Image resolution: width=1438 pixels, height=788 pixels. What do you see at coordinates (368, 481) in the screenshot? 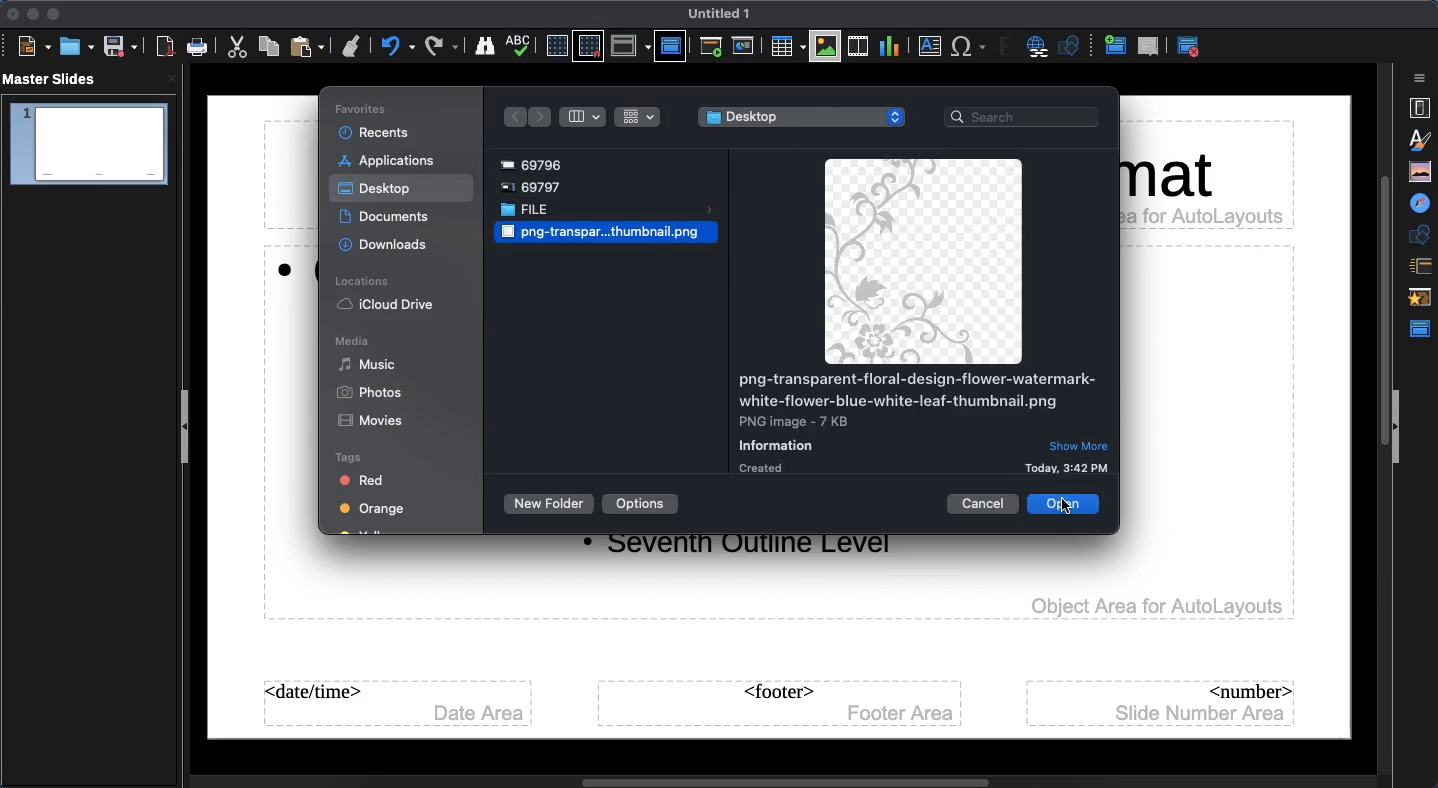
I see `red` at bounding box center [368, 481].